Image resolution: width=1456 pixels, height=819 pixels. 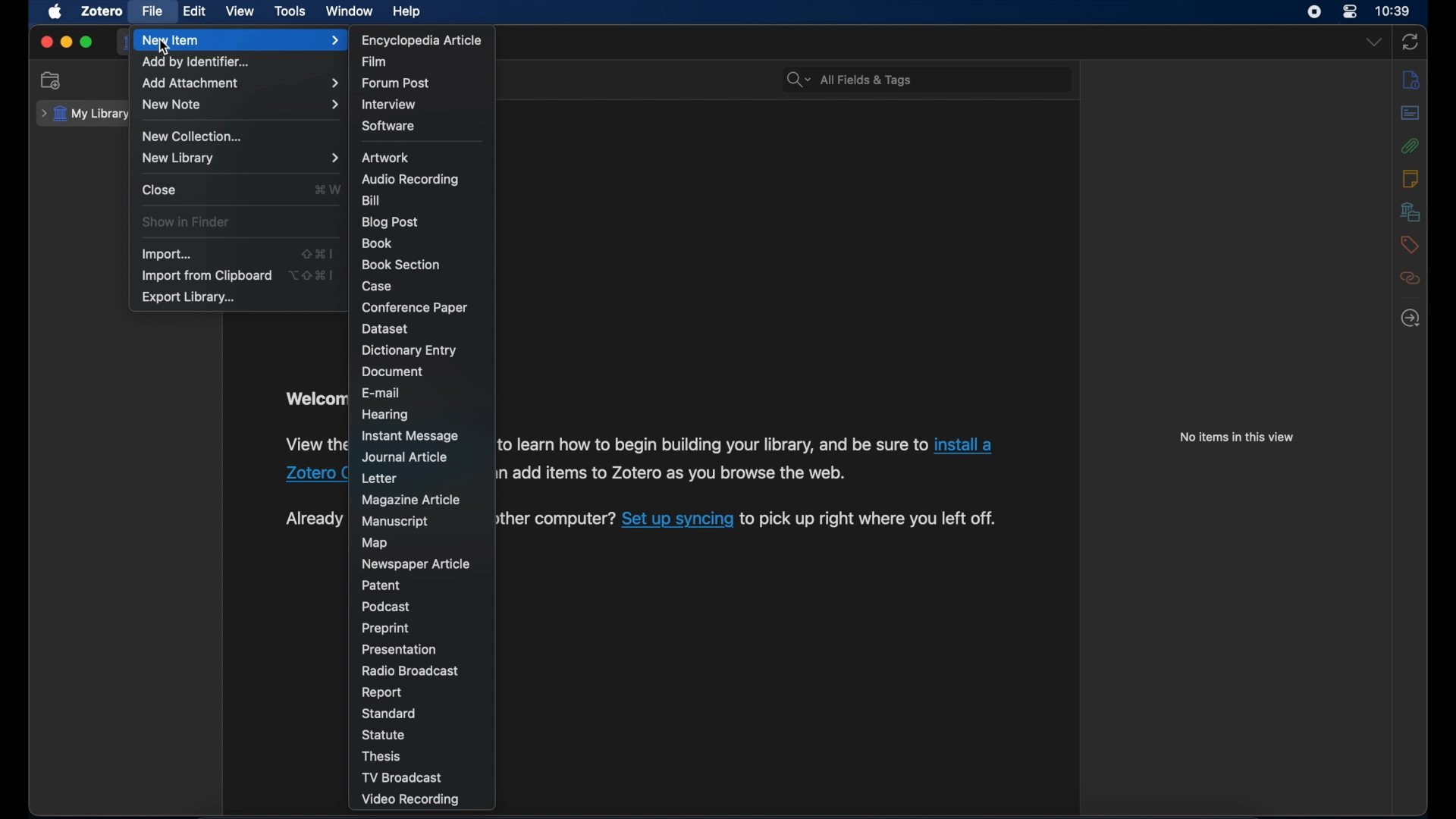 I want to click on shortcut, so click(x=326, y=189).